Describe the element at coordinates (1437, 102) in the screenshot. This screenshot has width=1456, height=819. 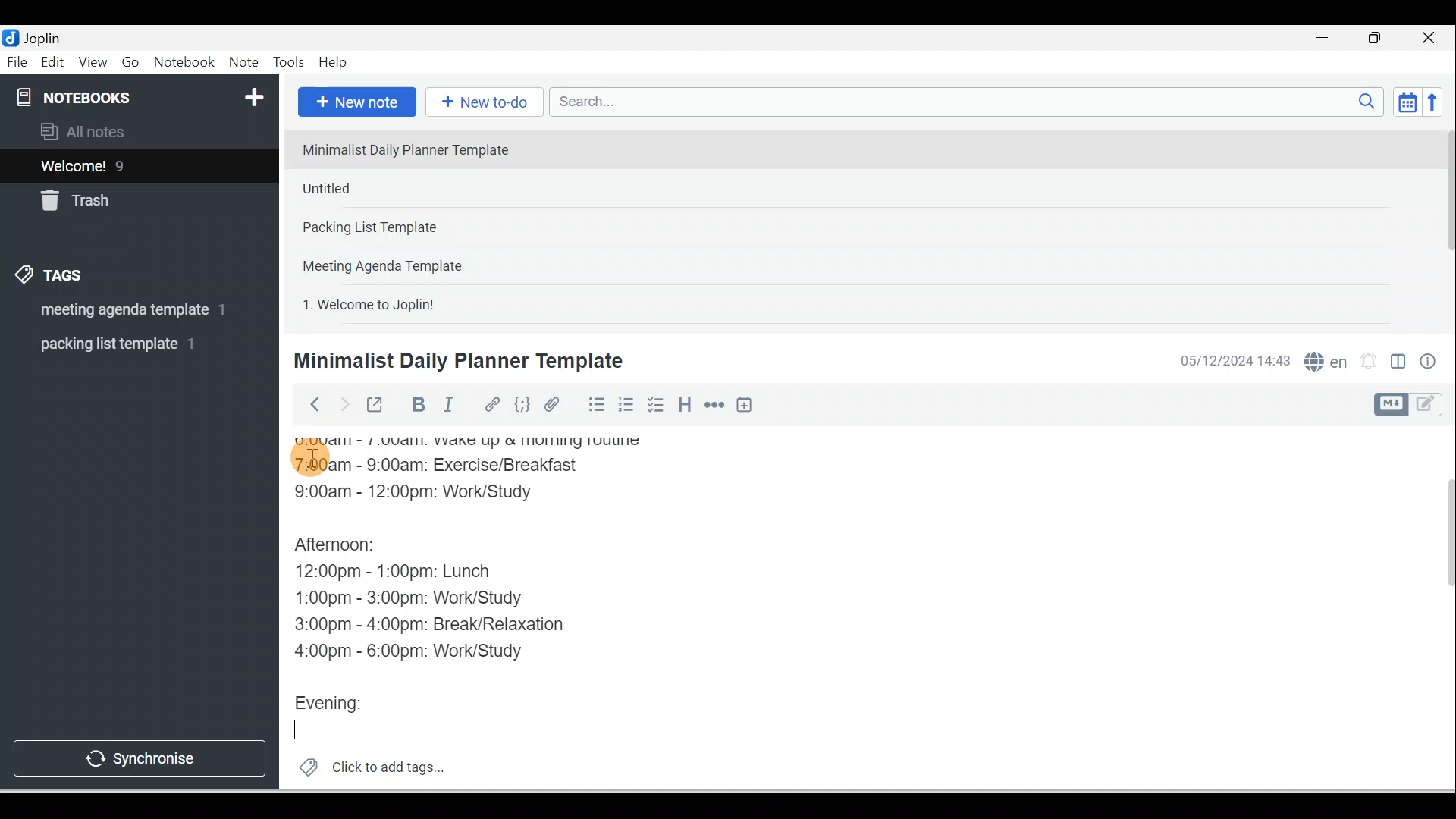
I see `Reverse sort` at that location.